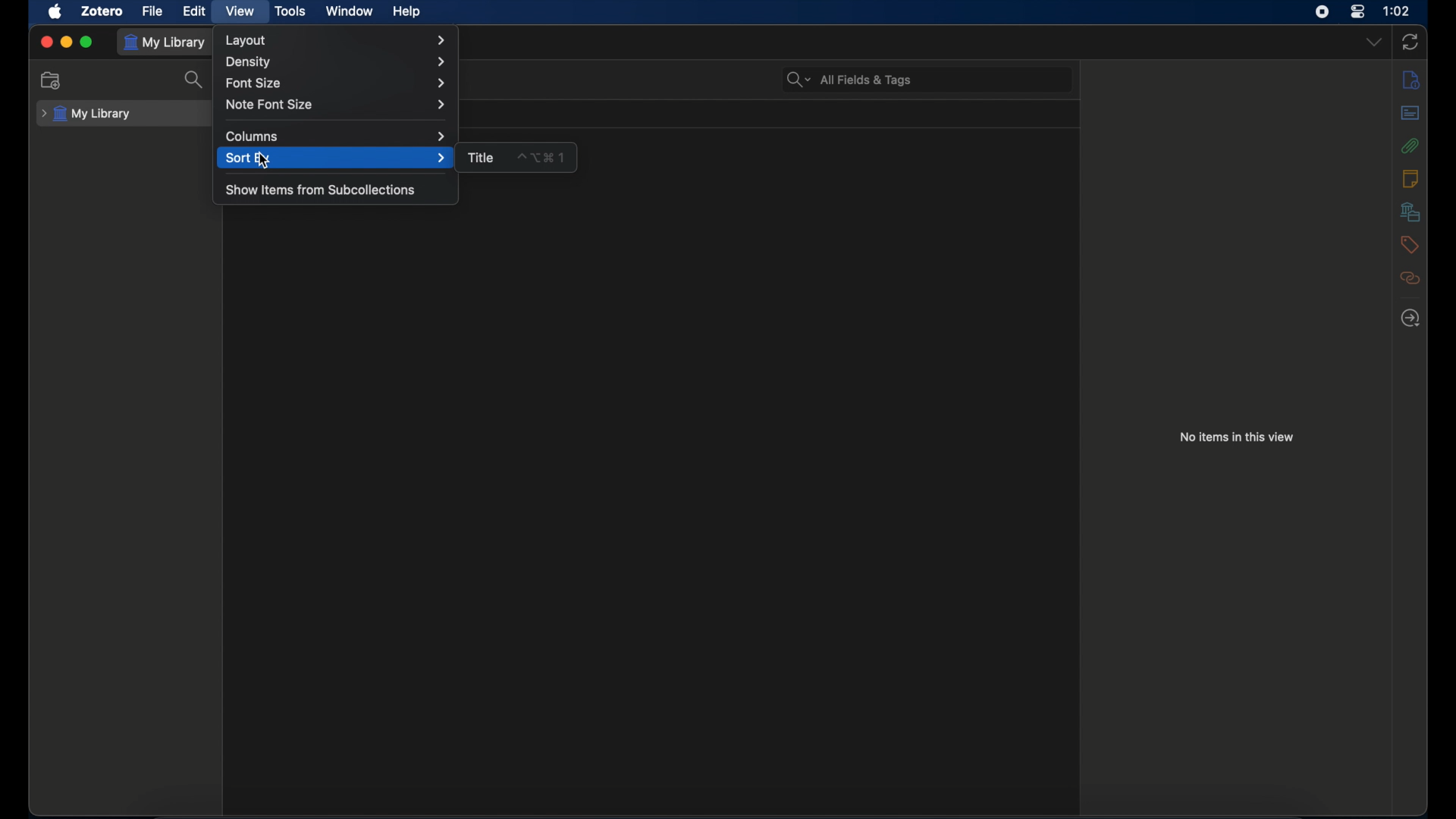 The height and width of the screenshot is (819, 1456). Describe the element at coordinates (334, 61) in the screenshot. I see `density` at that location.